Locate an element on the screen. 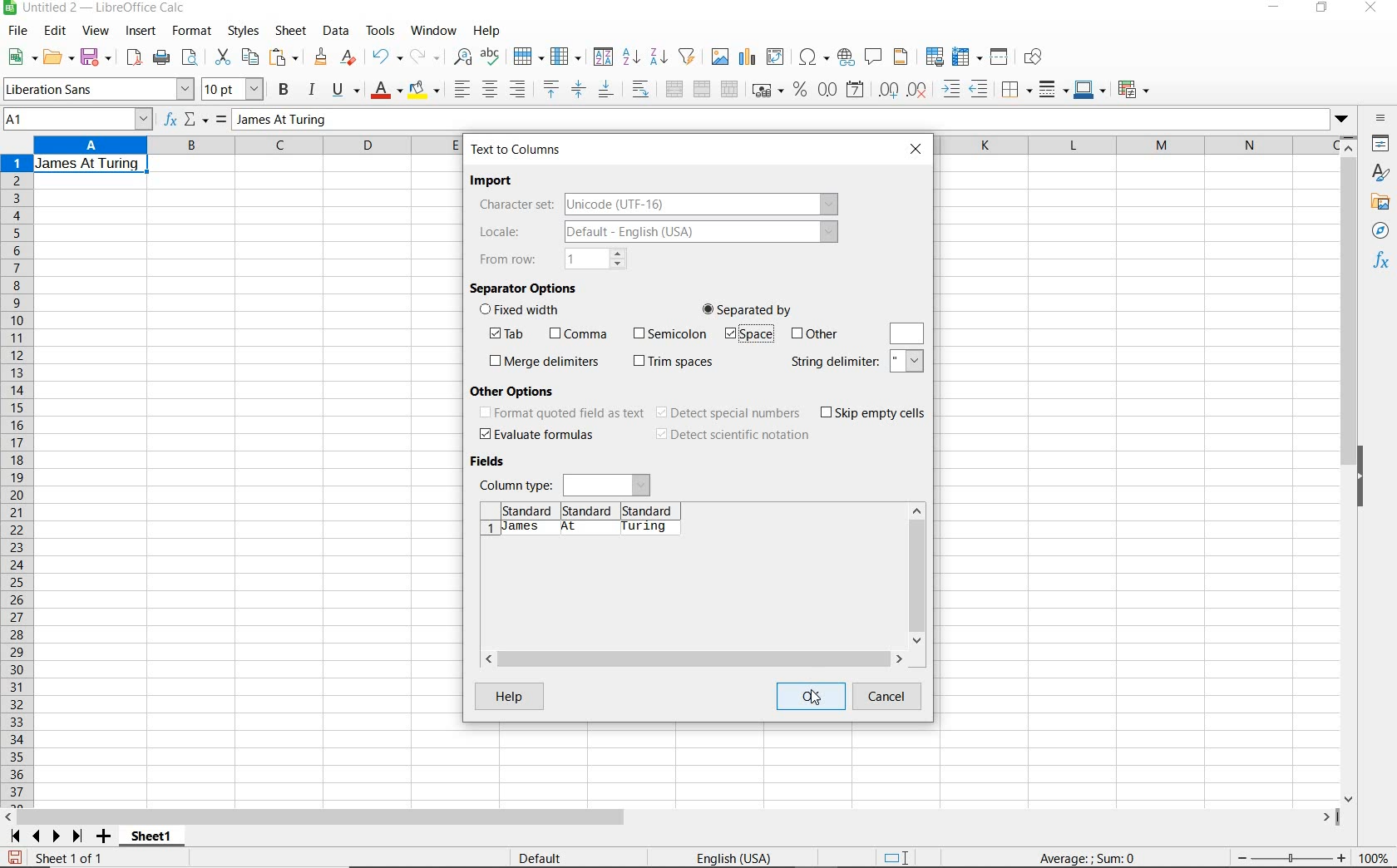  bold is located at coordinates (284, 90).